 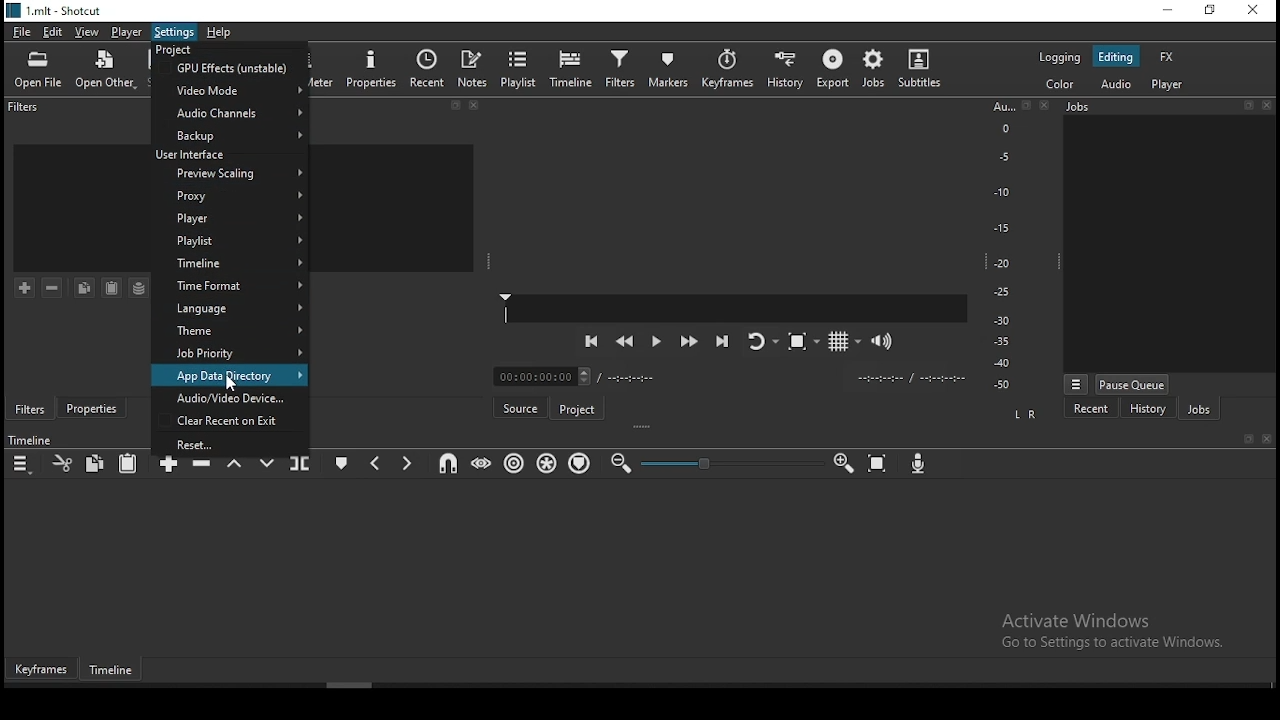 I want to click on Bookmark, so click(x=1248, y=439).